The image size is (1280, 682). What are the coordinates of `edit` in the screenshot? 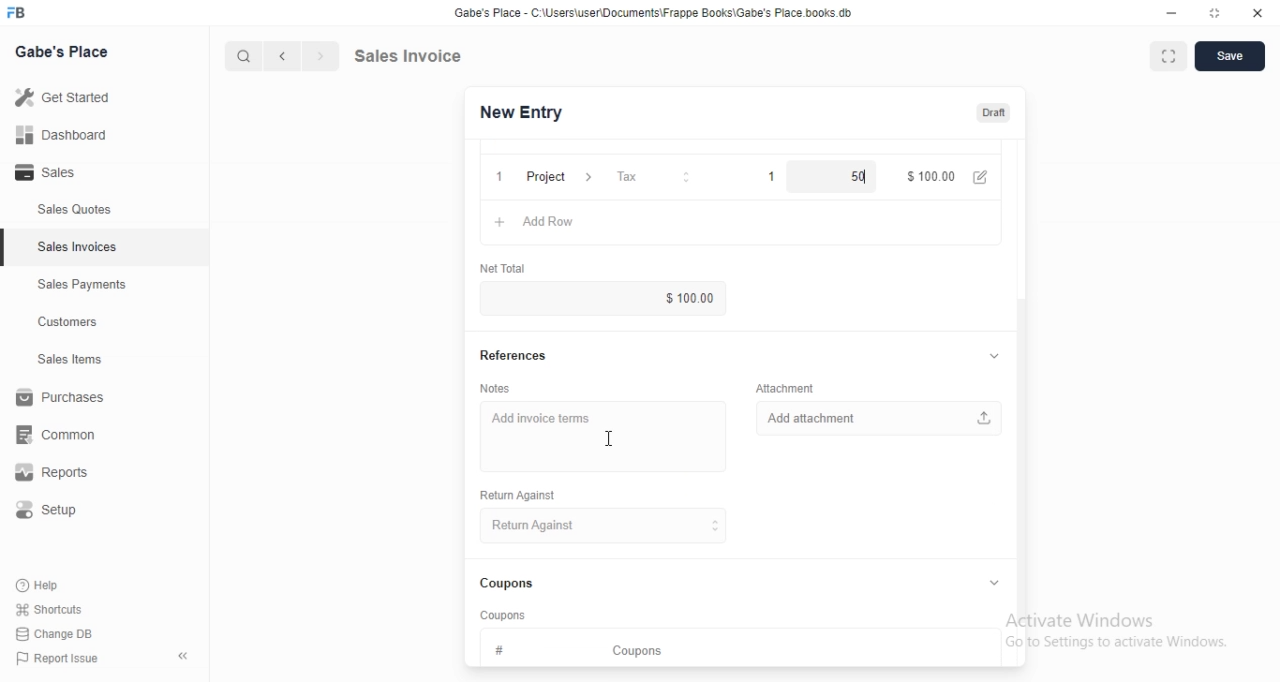 It's located at (983, 177).